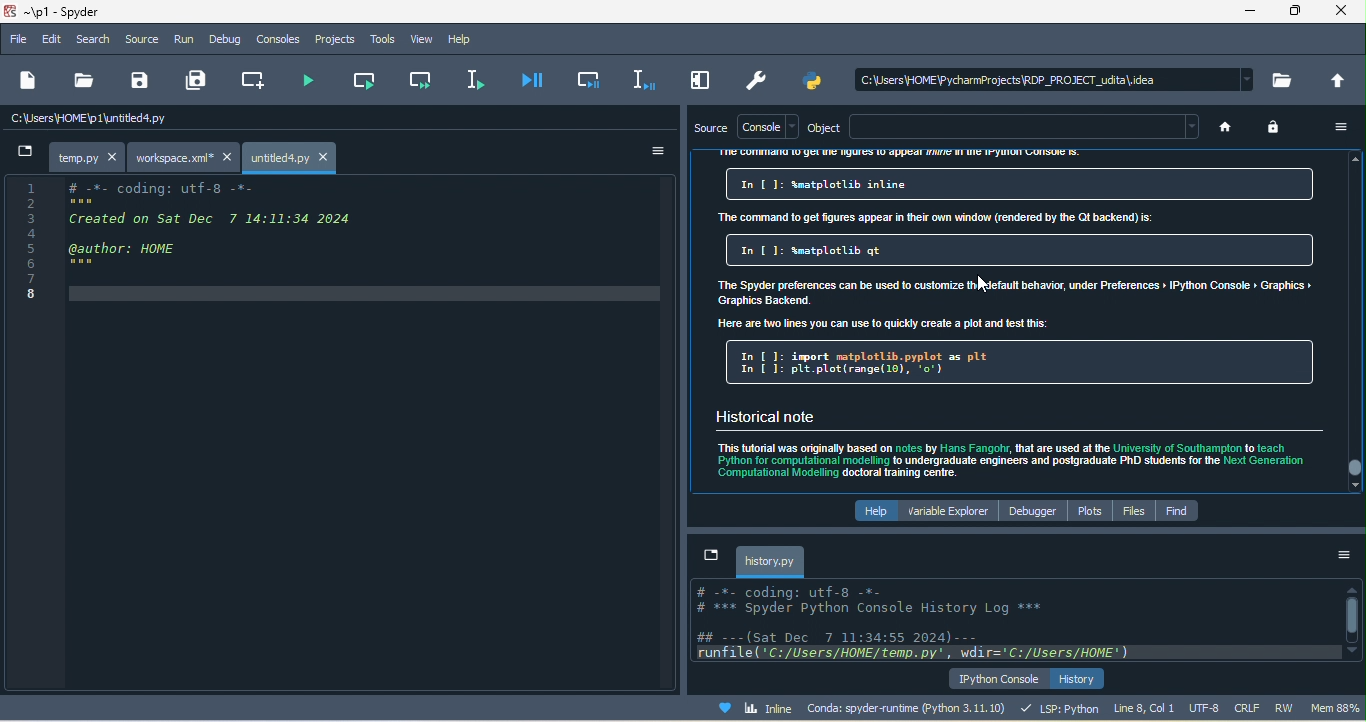 The height and width of the screenshot is (722, 1366). Describe the element at coordinates (247, 80) in the screenshot. I see `cerate new cell` at that location.